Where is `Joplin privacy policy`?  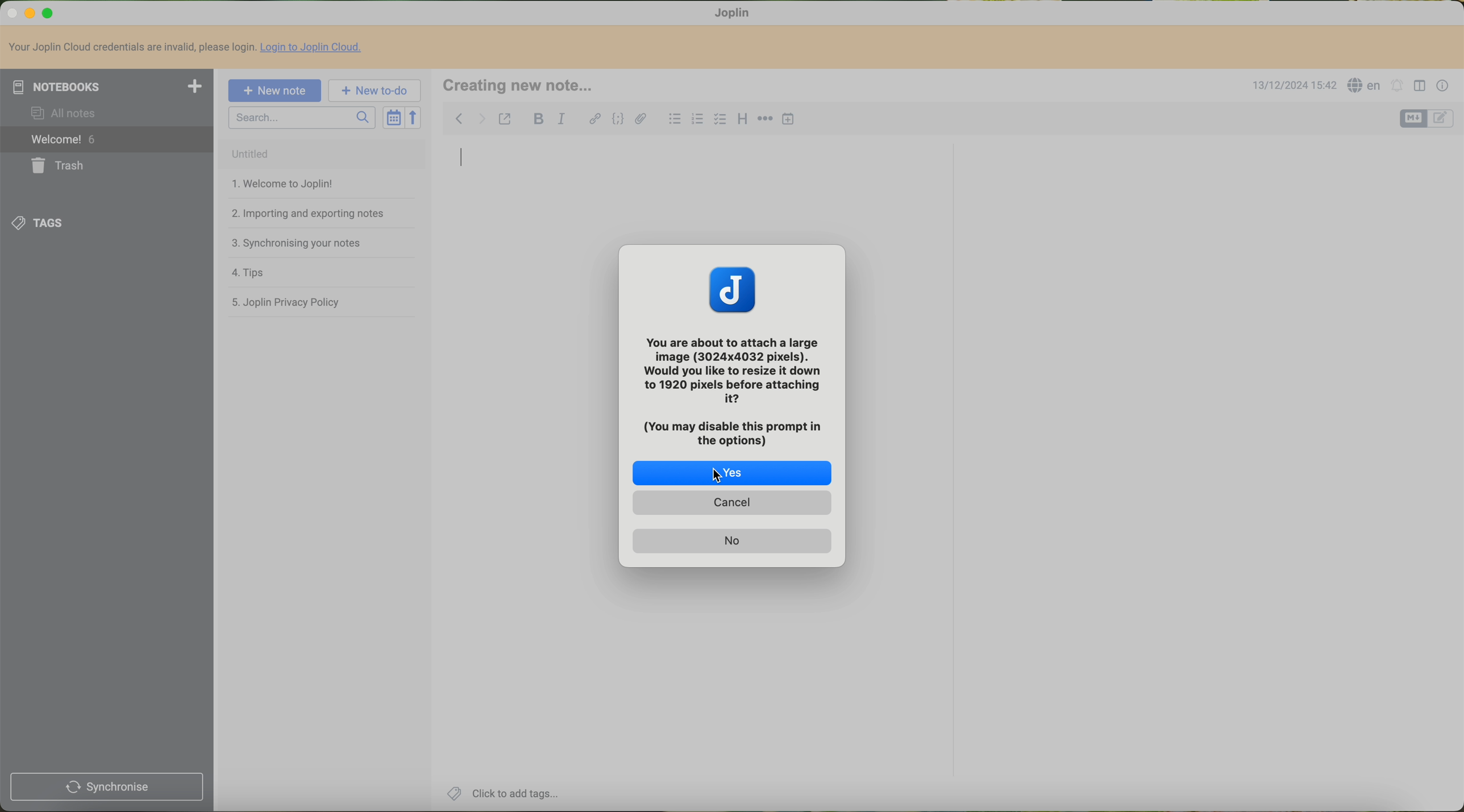 Joplin privacy policy is located at coordinates (285, 301).